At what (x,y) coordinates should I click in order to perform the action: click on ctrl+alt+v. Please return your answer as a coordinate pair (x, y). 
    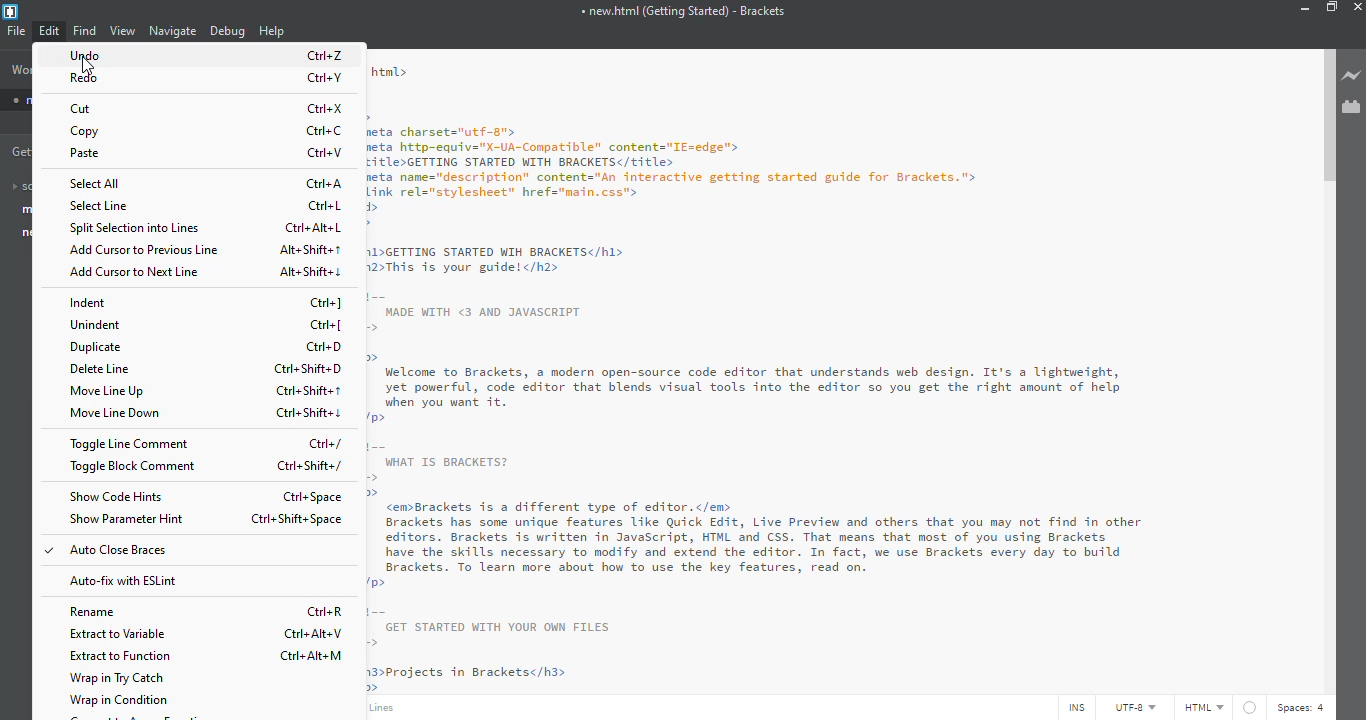
    Looking at the image, I should click on (316, 634).